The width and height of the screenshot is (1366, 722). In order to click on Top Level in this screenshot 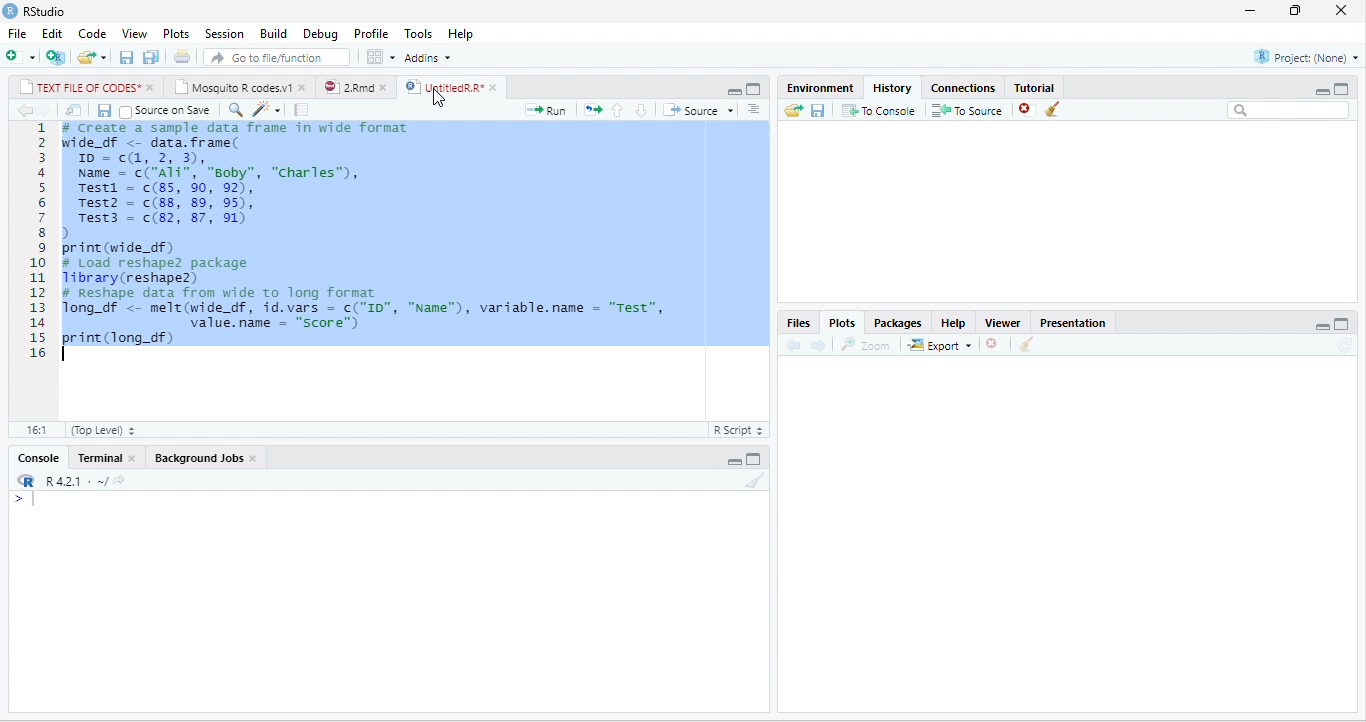, I will do `click(104, 431)`.